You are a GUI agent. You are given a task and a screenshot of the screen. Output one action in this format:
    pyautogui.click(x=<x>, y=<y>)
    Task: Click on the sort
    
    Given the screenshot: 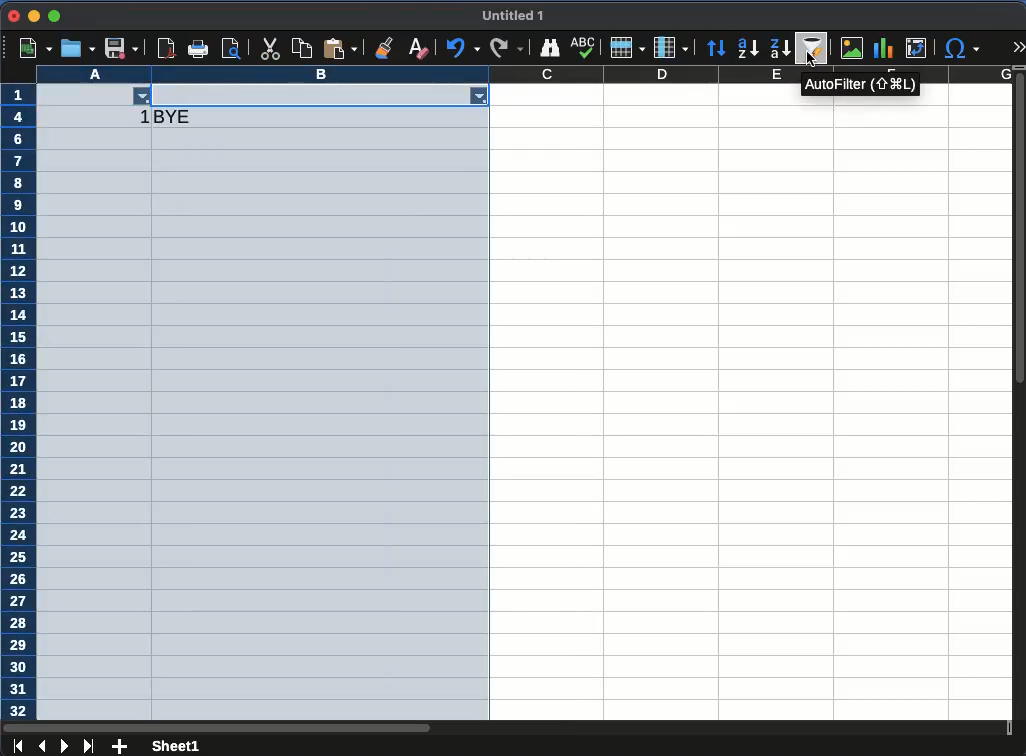 What is the action you would take?
    pyautogui.click(x=717, y=50)
    